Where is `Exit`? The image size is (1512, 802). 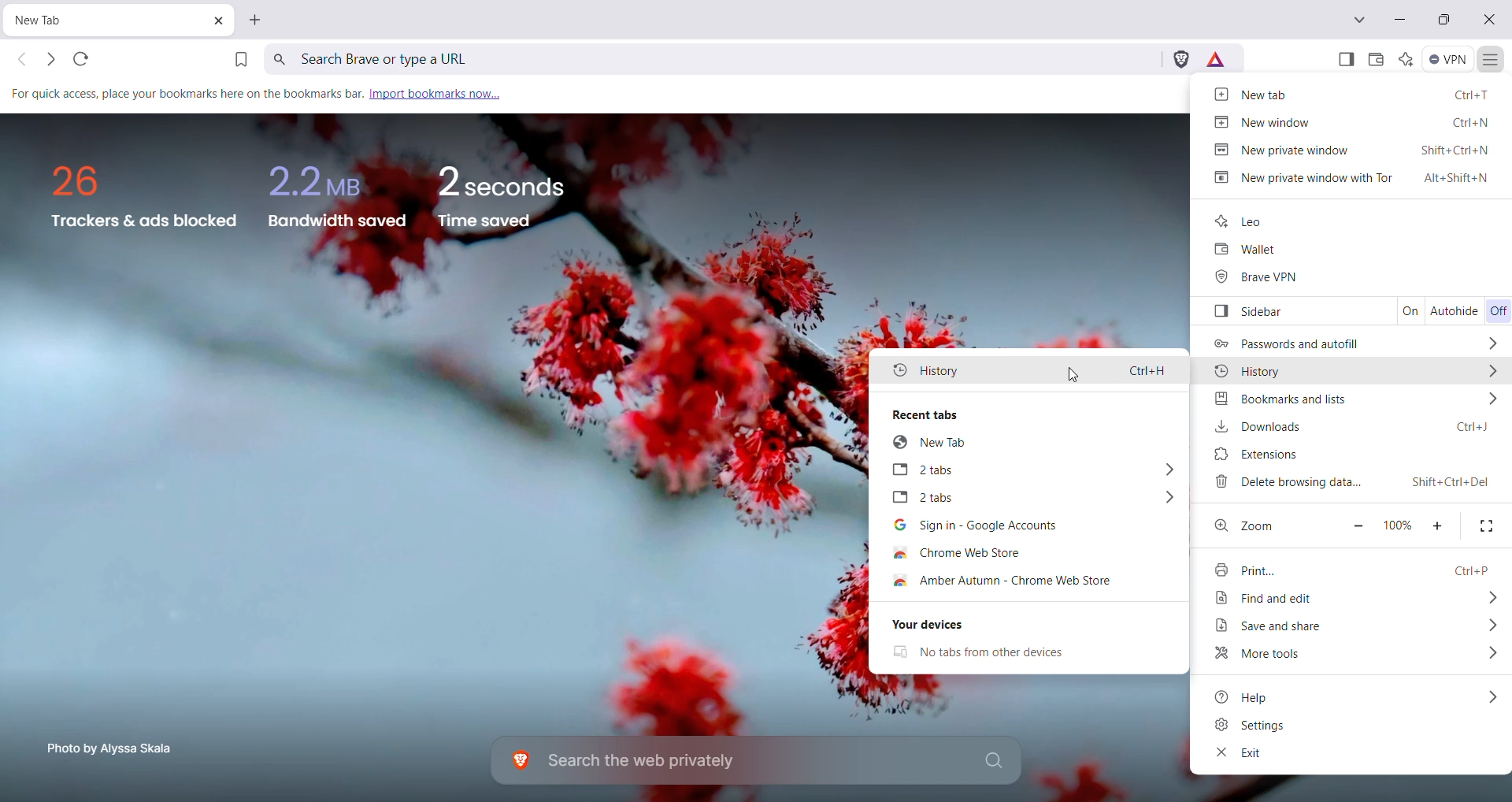
Exit is located at coordinates (1237, 755).